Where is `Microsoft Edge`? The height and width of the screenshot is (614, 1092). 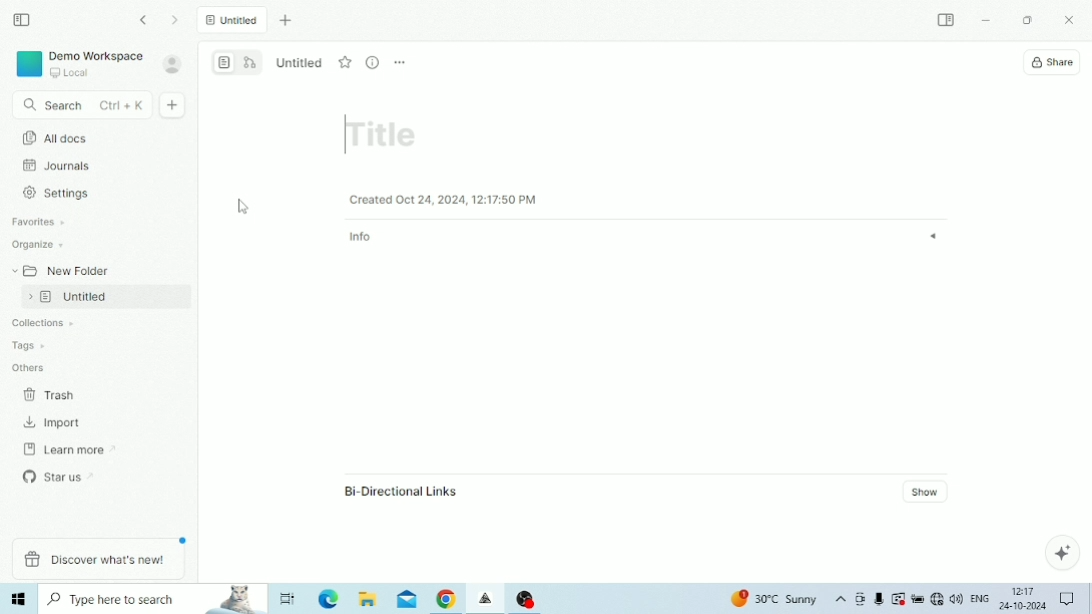
Microsoft Edge is located at coordinates (330, 599).